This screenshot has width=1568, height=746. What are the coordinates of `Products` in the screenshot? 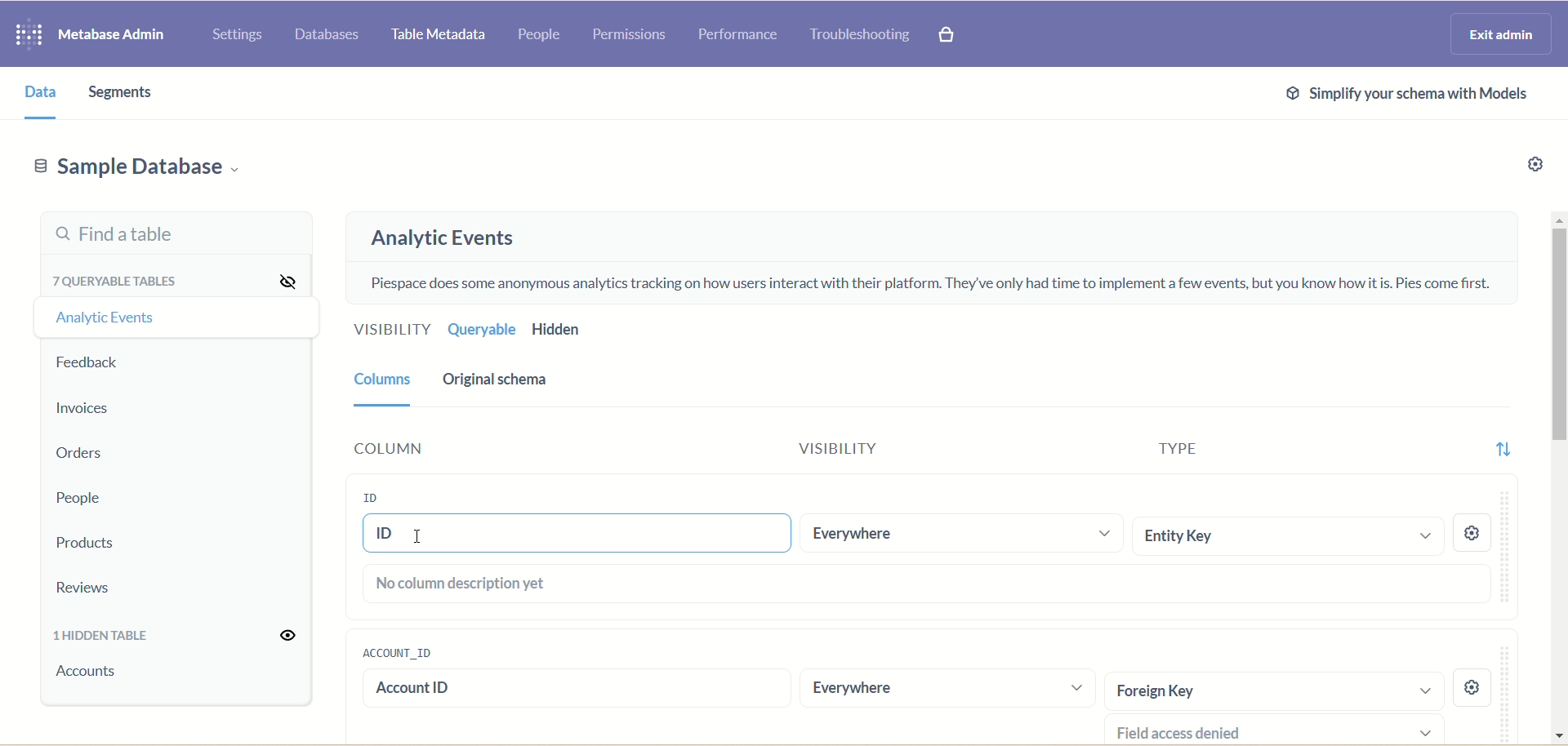 It's located at (105, 543).